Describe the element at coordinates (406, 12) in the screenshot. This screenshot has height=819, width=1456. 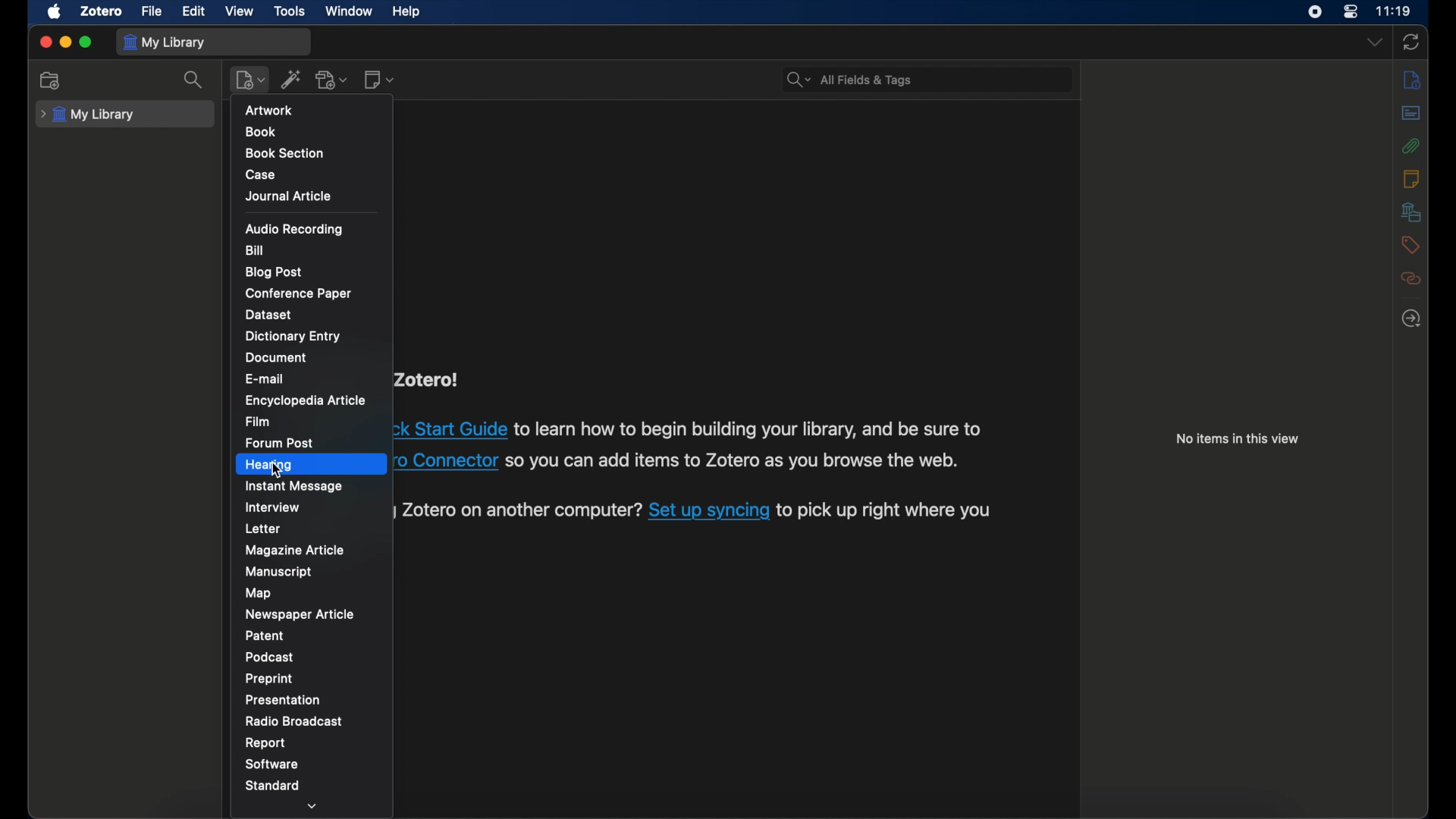
I see `help` at that location.